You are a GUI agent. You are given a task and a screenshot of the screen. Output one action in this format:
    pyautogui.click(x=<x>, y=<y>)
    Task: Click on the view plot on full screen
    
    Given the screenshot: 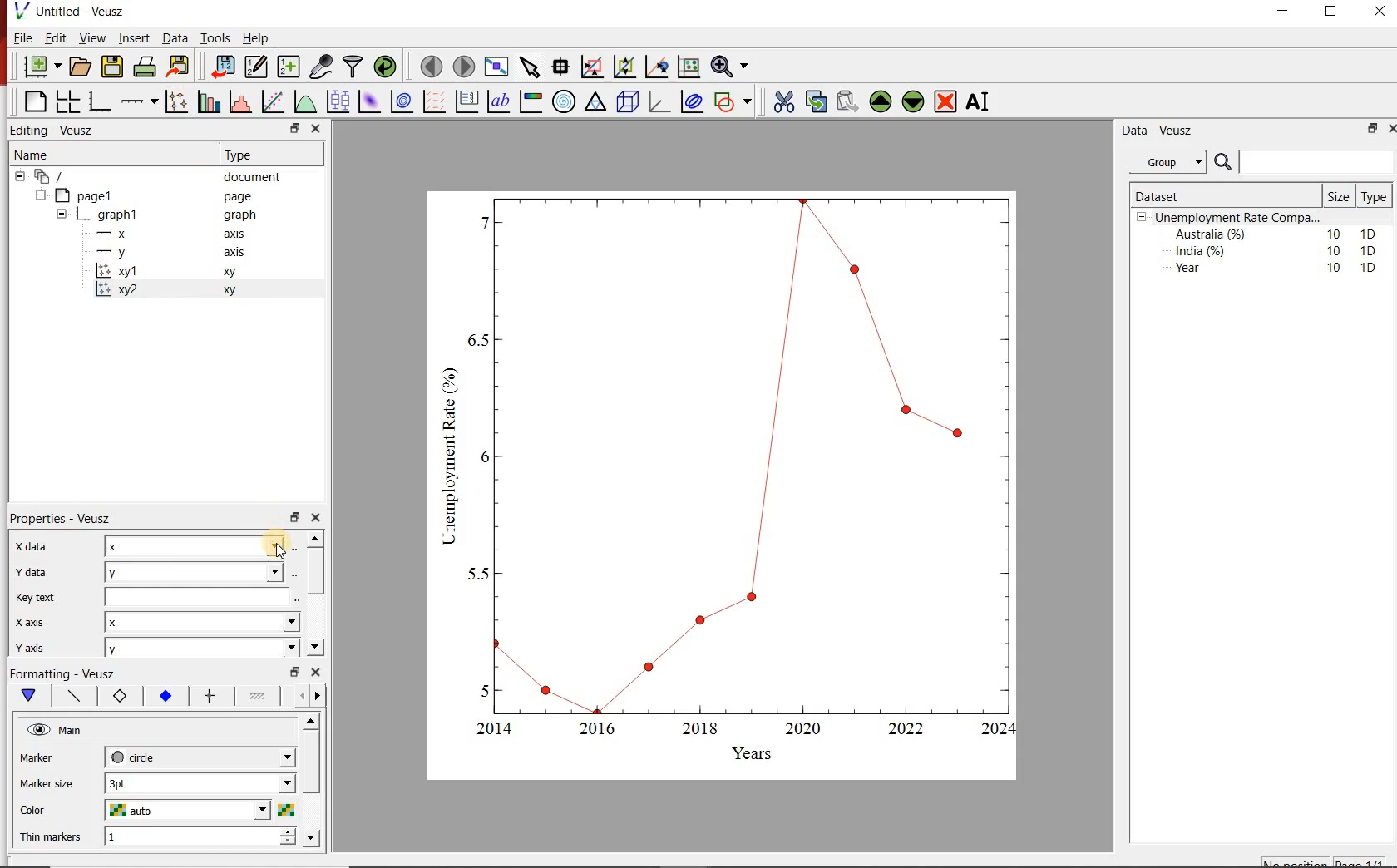 What is the action you would take?
    pyautogui.click(x=498, y=66)
    